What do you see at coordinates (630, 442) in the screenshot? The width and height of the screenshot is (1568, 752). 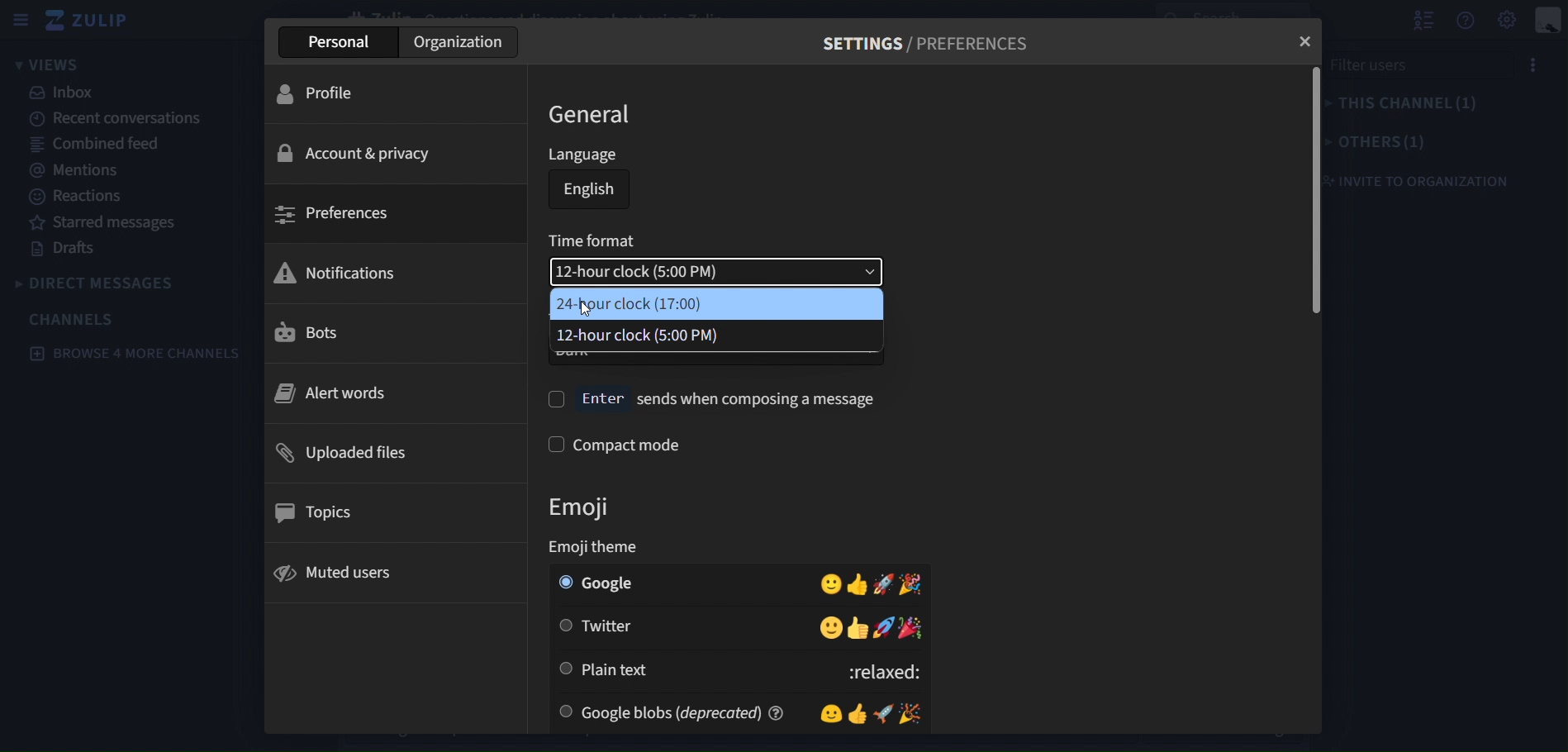 I see `compact mode` at bounding box center [630, 442].